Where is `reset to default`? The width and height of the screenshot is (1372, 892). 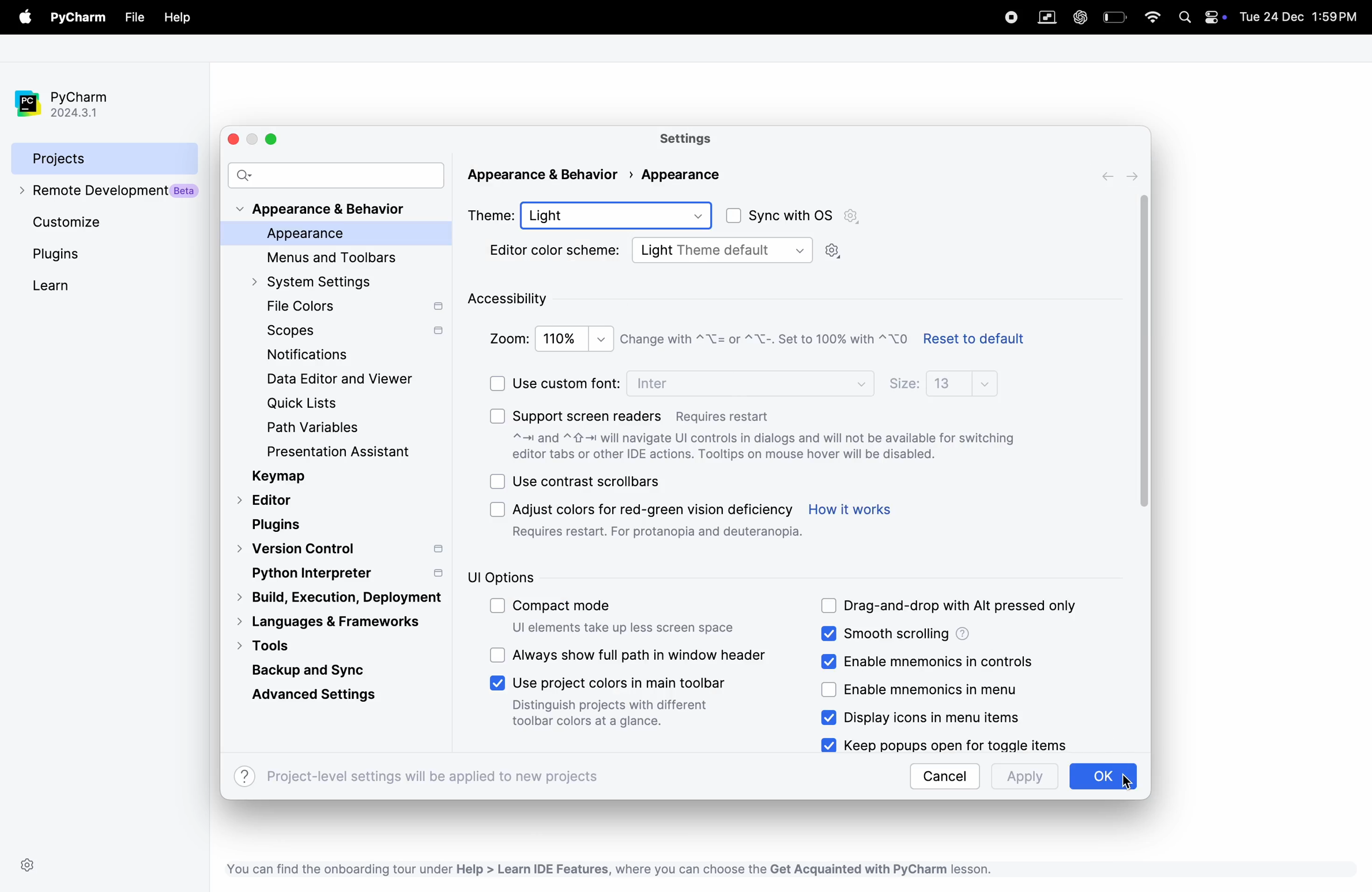 reset to default is located at coordinates (984, 341).